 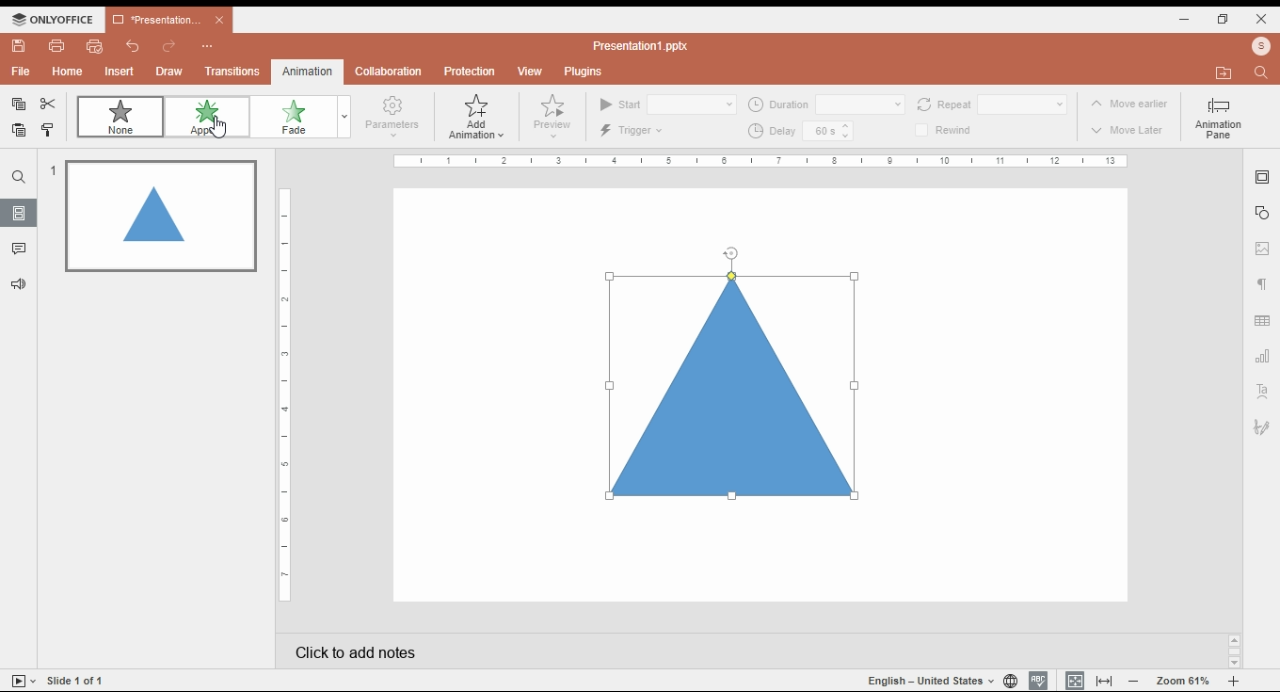 I want to click on trigger, so click(x=629, y=130).